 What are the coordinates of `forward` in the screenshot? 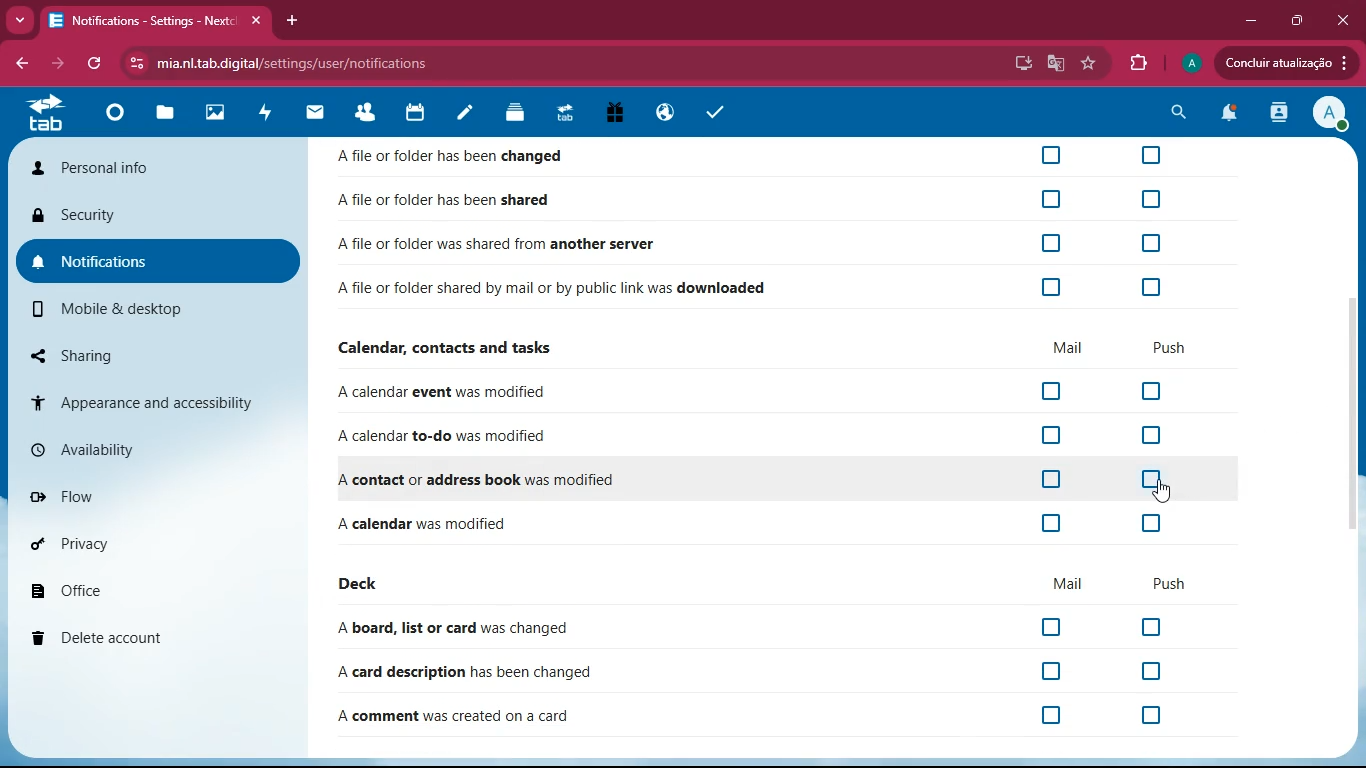 It's located at (61, 64).